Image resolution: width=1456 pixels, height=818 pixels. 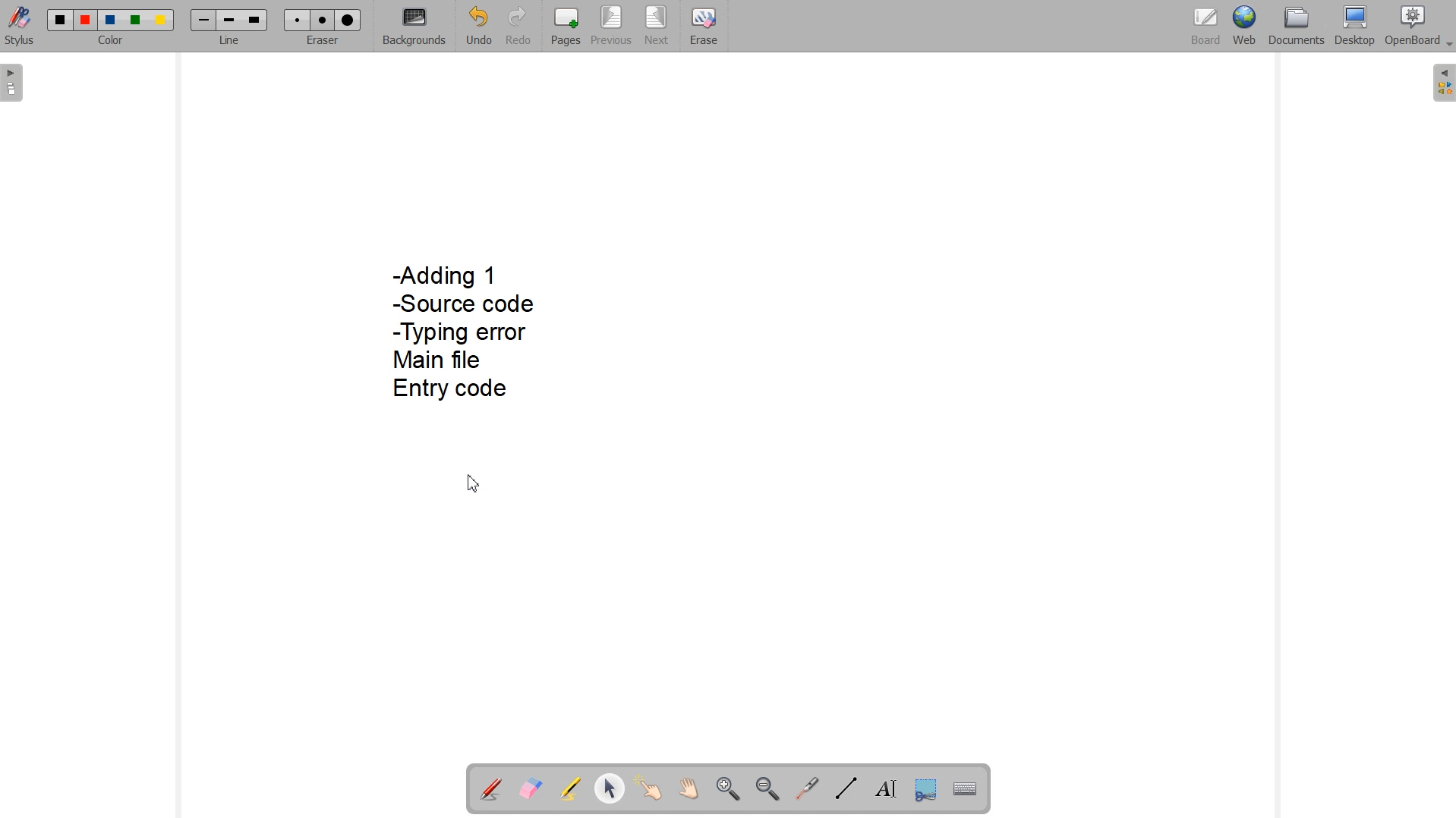 I want to click on Virtual laser pointer, so click(x=807, y=788).